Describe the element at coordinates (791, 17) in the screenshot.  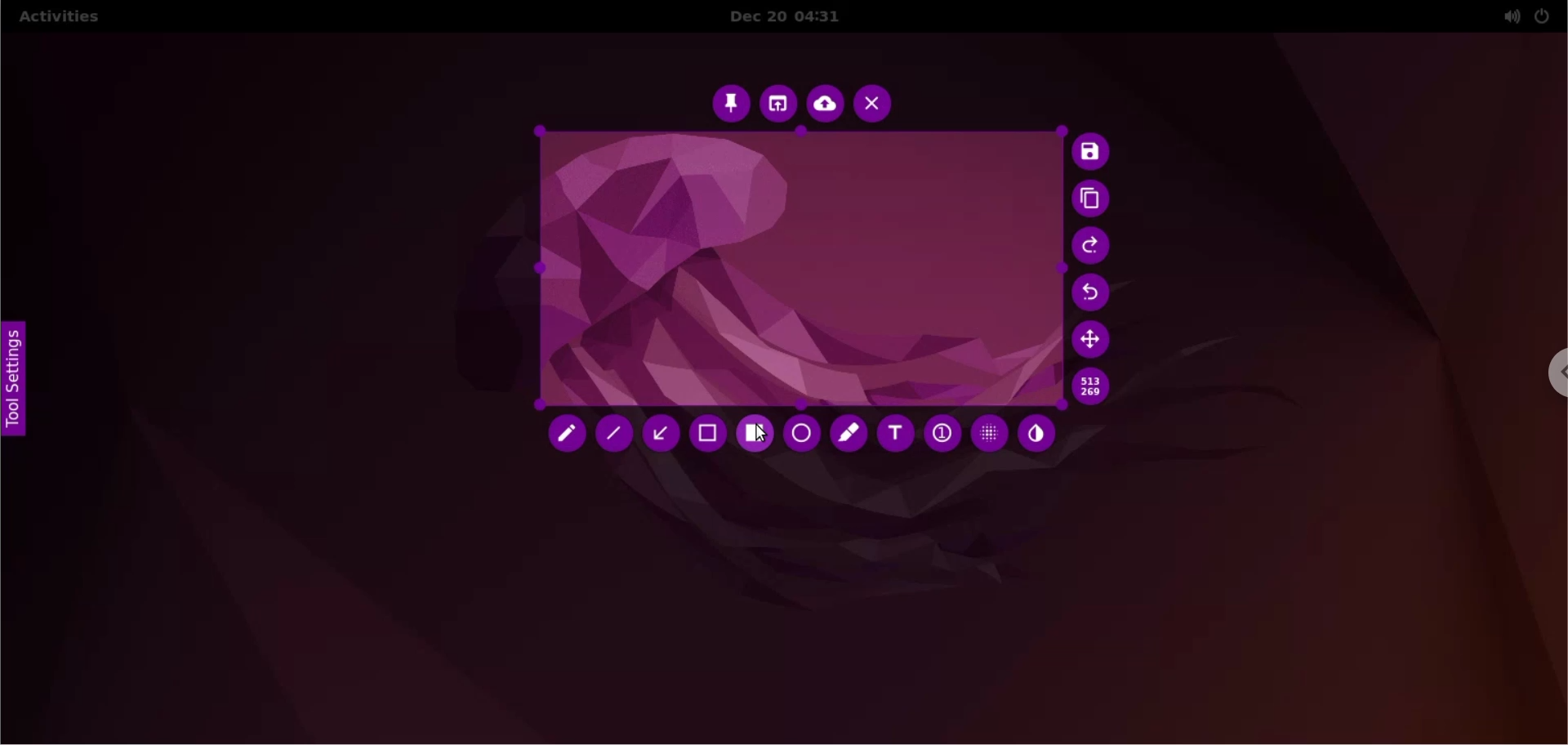
I see `Dec 20 04:31` at that location.